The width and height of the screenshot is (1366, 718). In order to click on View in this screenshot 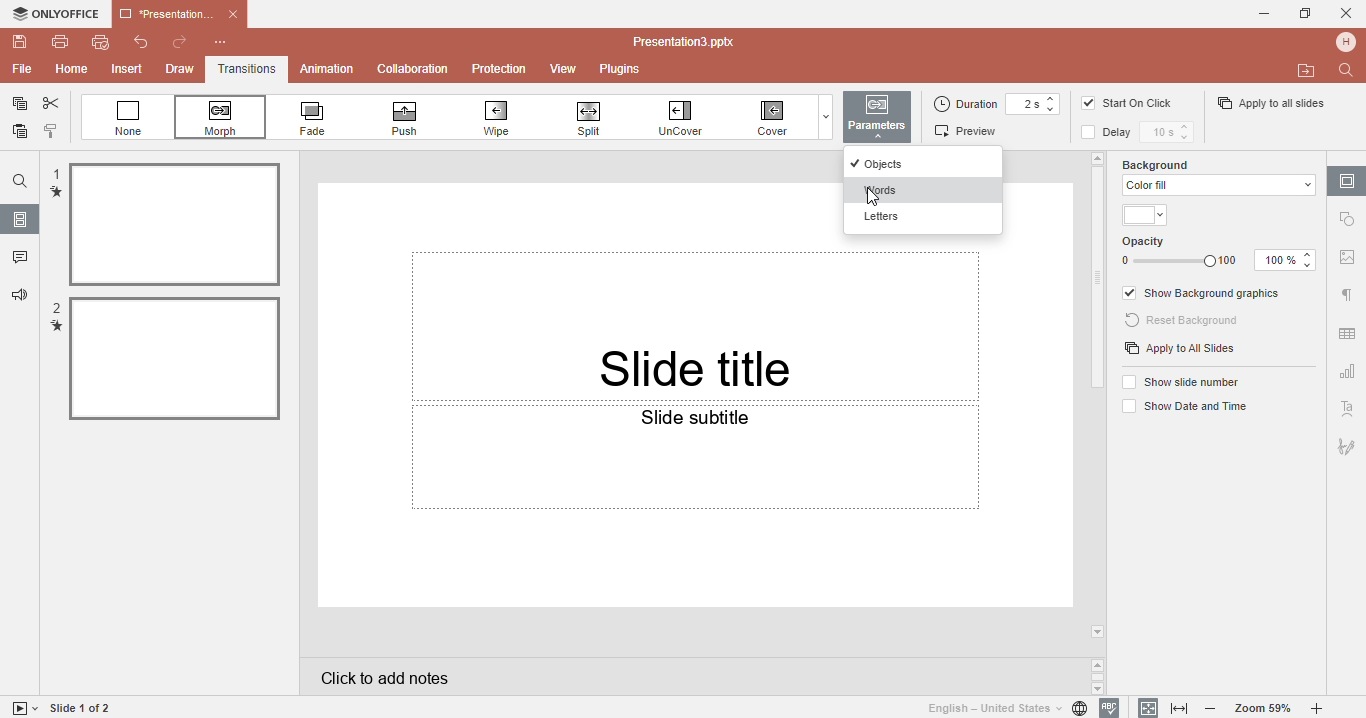, I will do `click(566, 70)`.